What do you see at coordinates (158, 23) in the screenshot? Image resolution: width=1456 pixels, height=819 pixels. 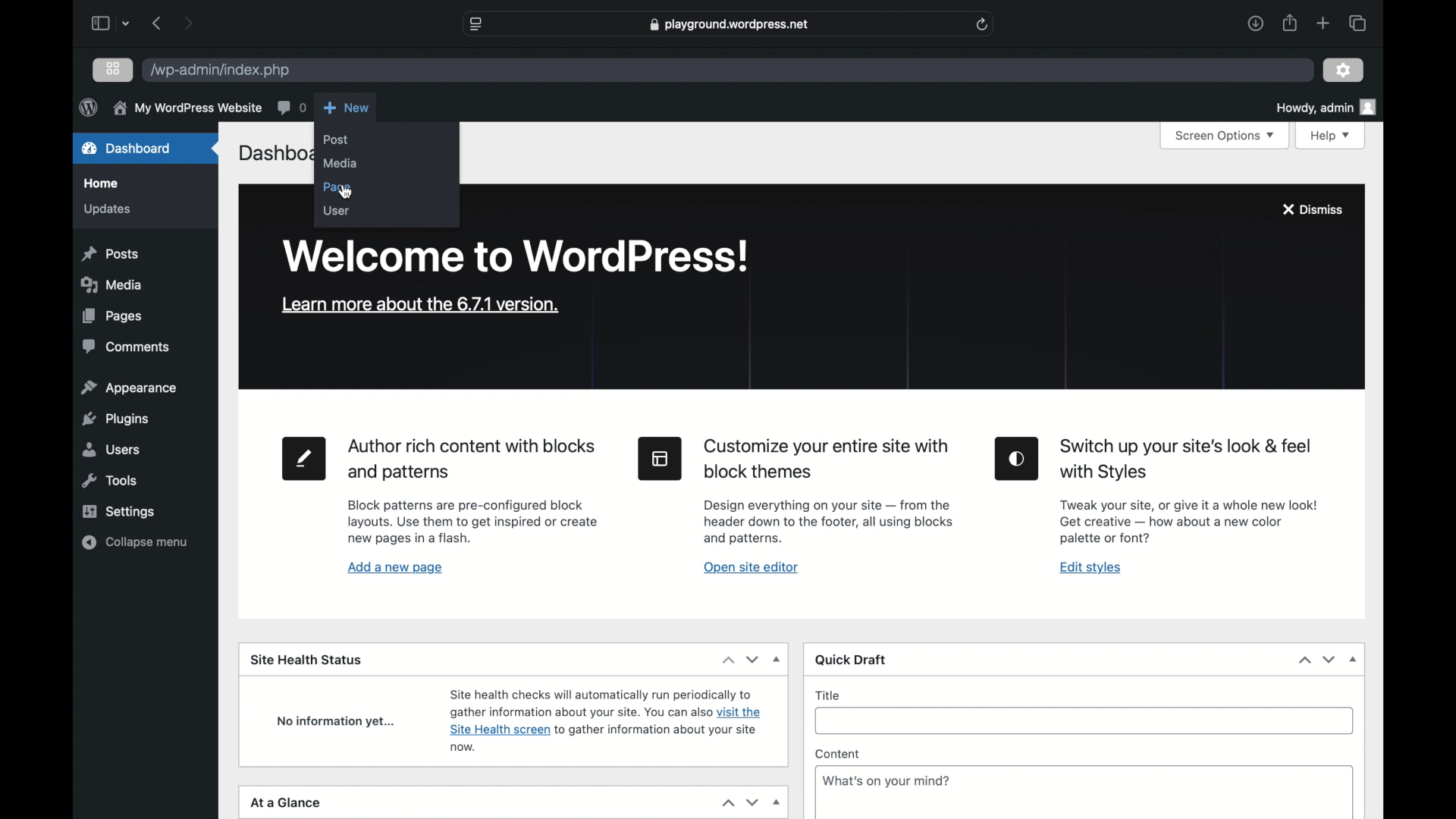 I see `previous page` at bounding box center [158, 23].